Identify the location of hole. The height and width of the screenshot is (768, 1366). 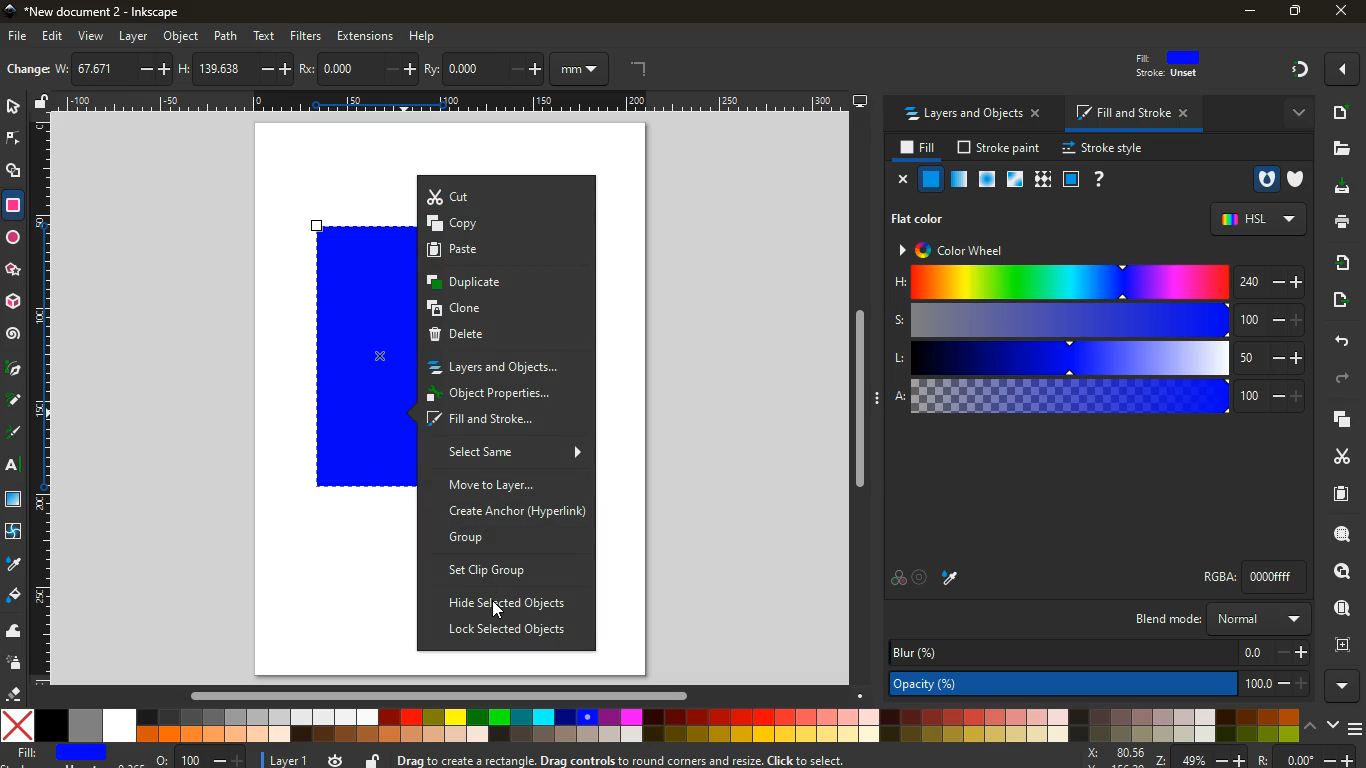
(1265, 178).